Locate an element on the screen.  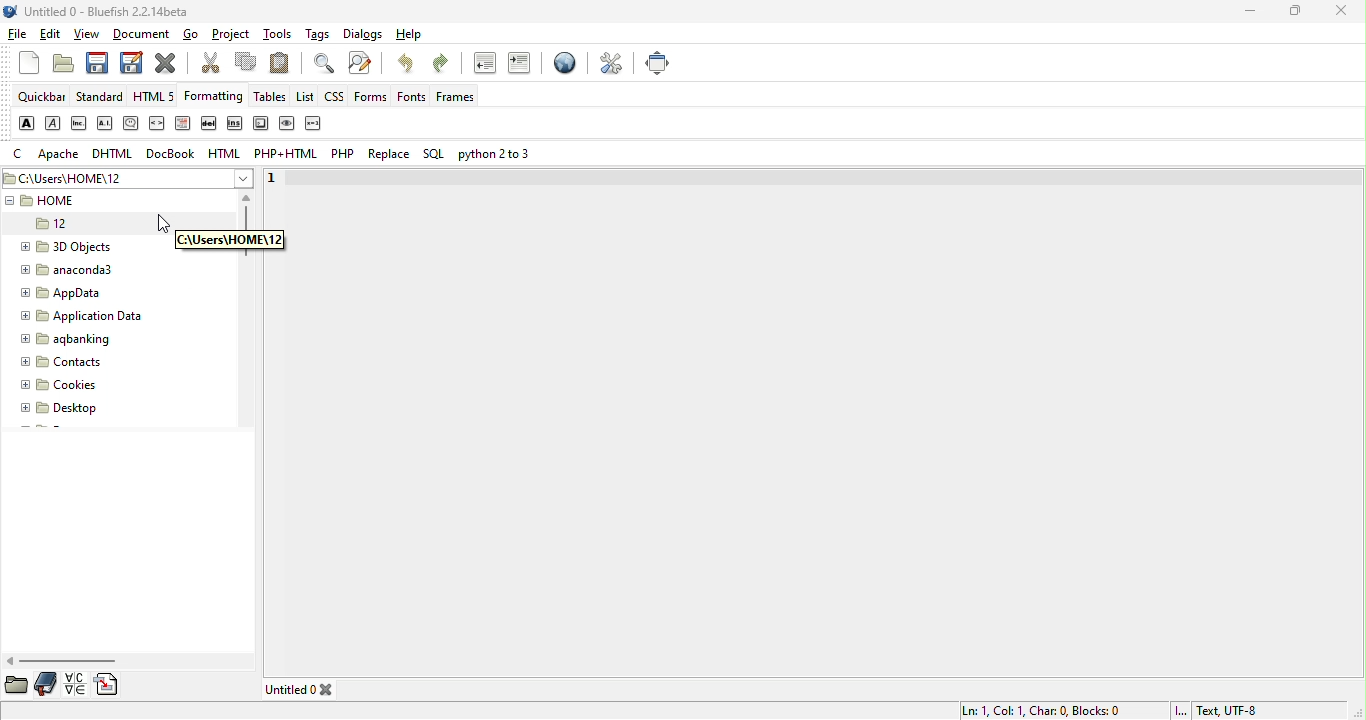
php is located at coordinates (344, 155).